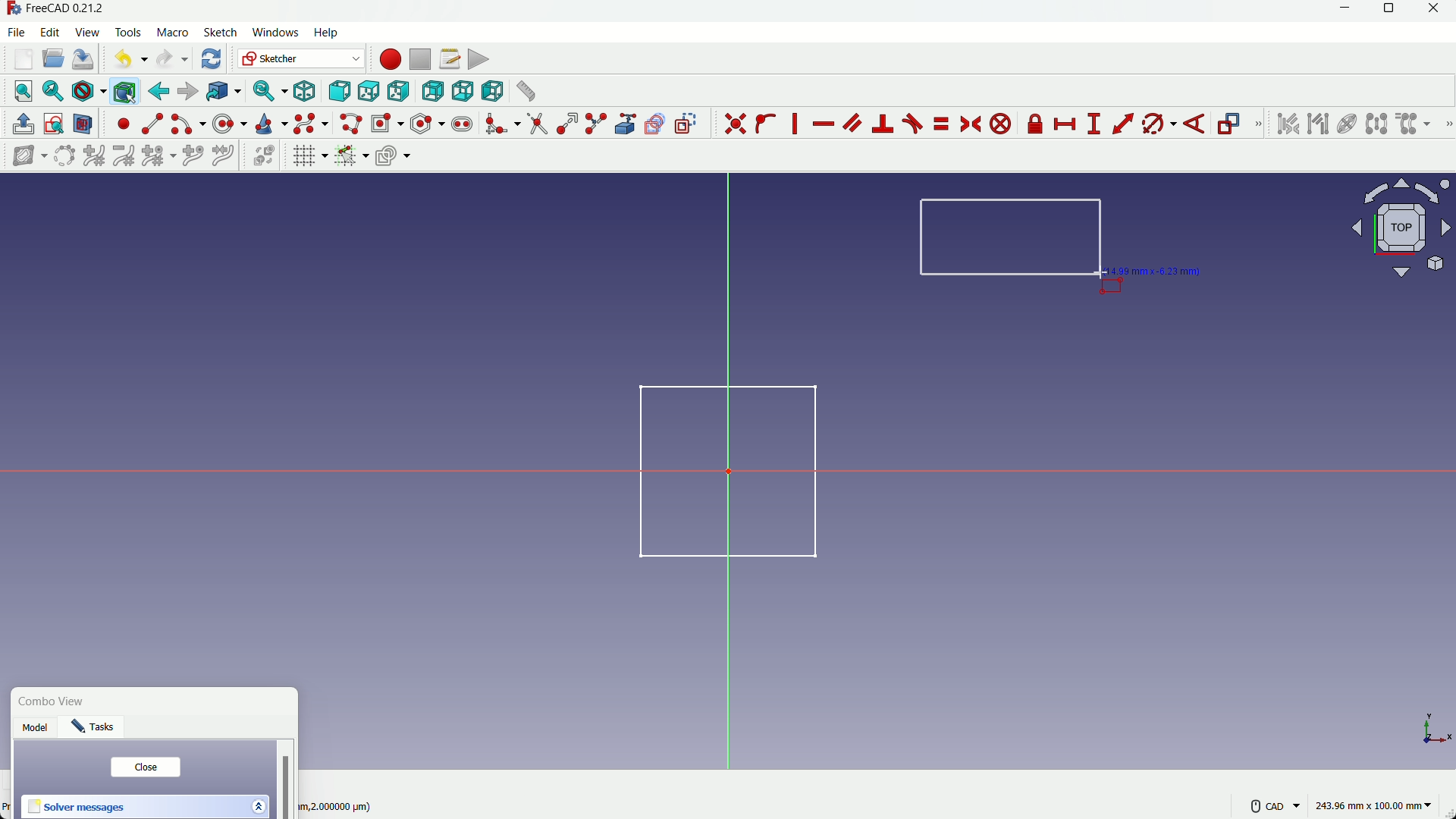  I want to click on measure, so click(525, 91).